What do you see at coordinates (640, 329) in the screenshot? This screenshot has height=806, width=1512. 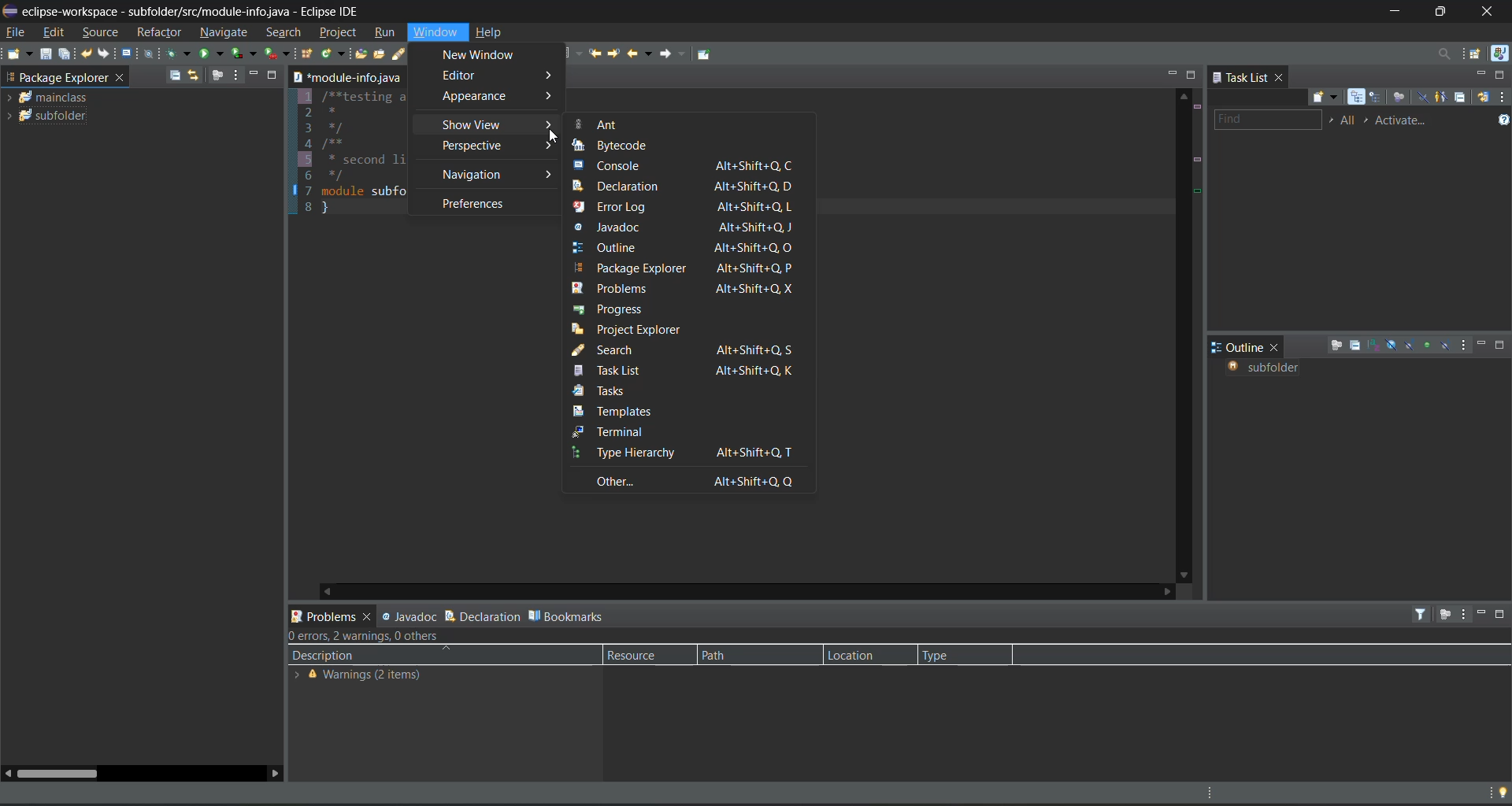 I see `project explorer` at bounding box center [640, 329].